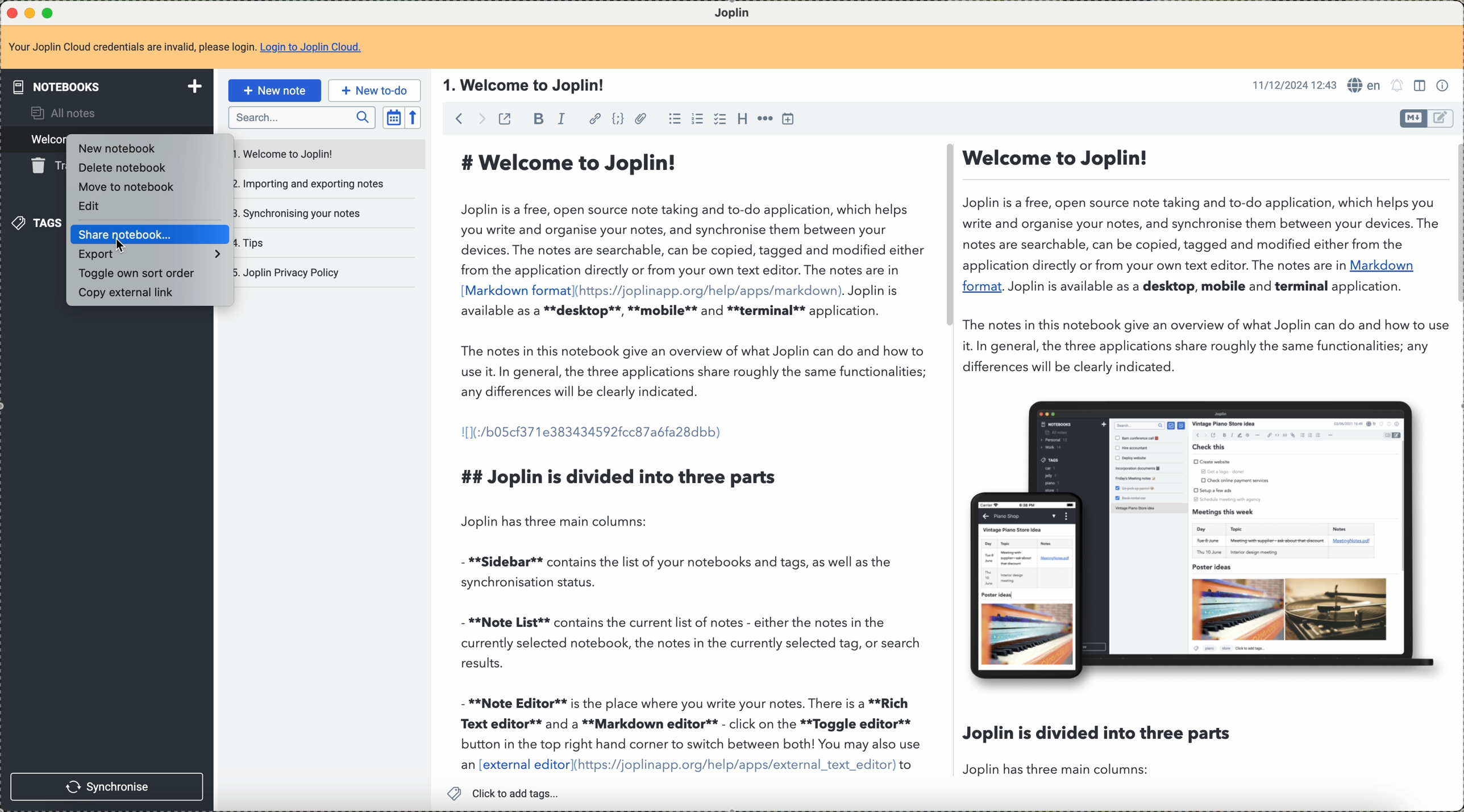 Image resolution: width=1464 pixels, height=812 pixels. Describe the element at coordinates (718, 119) in the screenshot. I see `checkbox` at that location.